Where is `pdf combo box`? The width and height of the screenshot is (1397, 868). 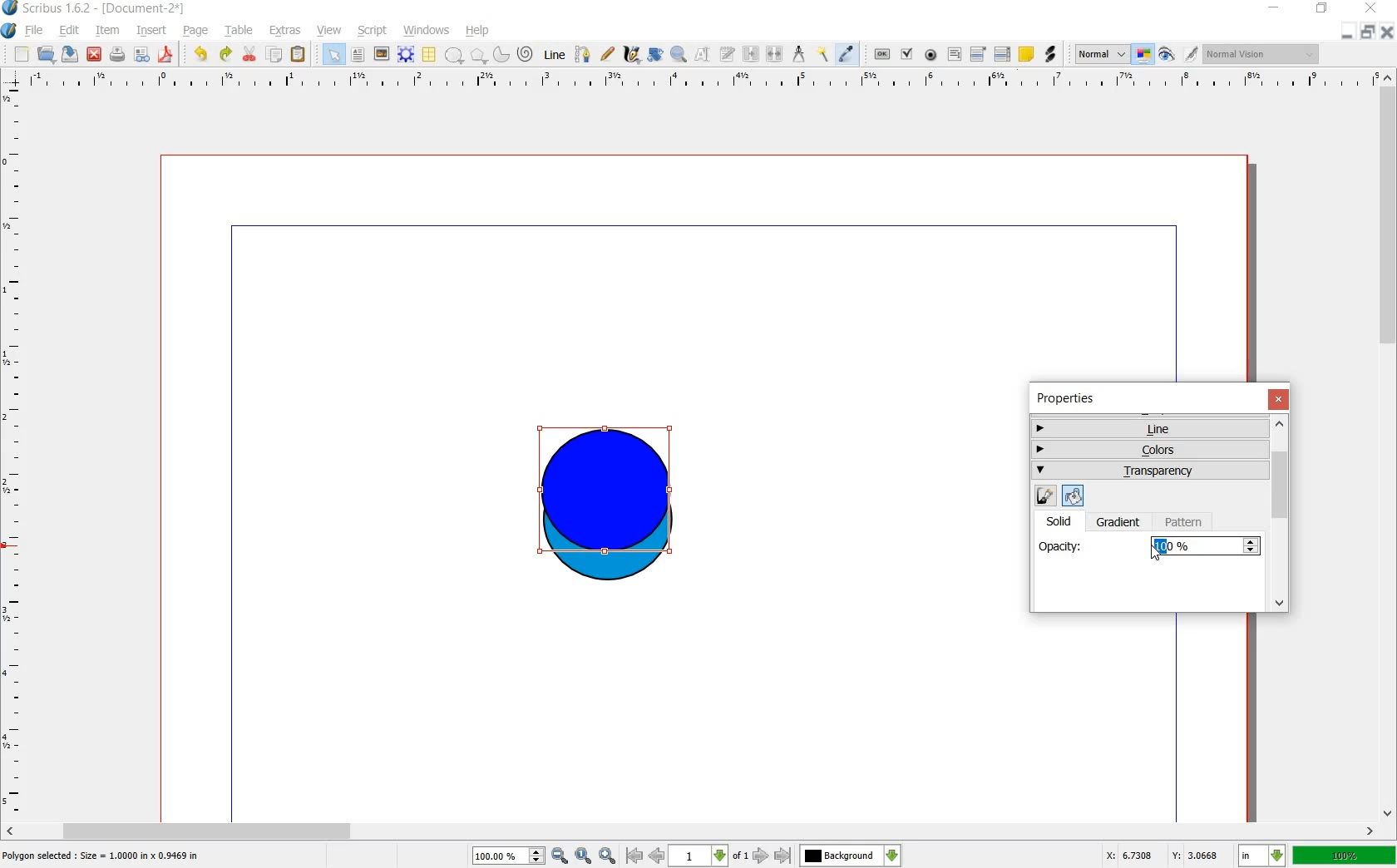 pdf combo box is located at coordinates (977, 54).